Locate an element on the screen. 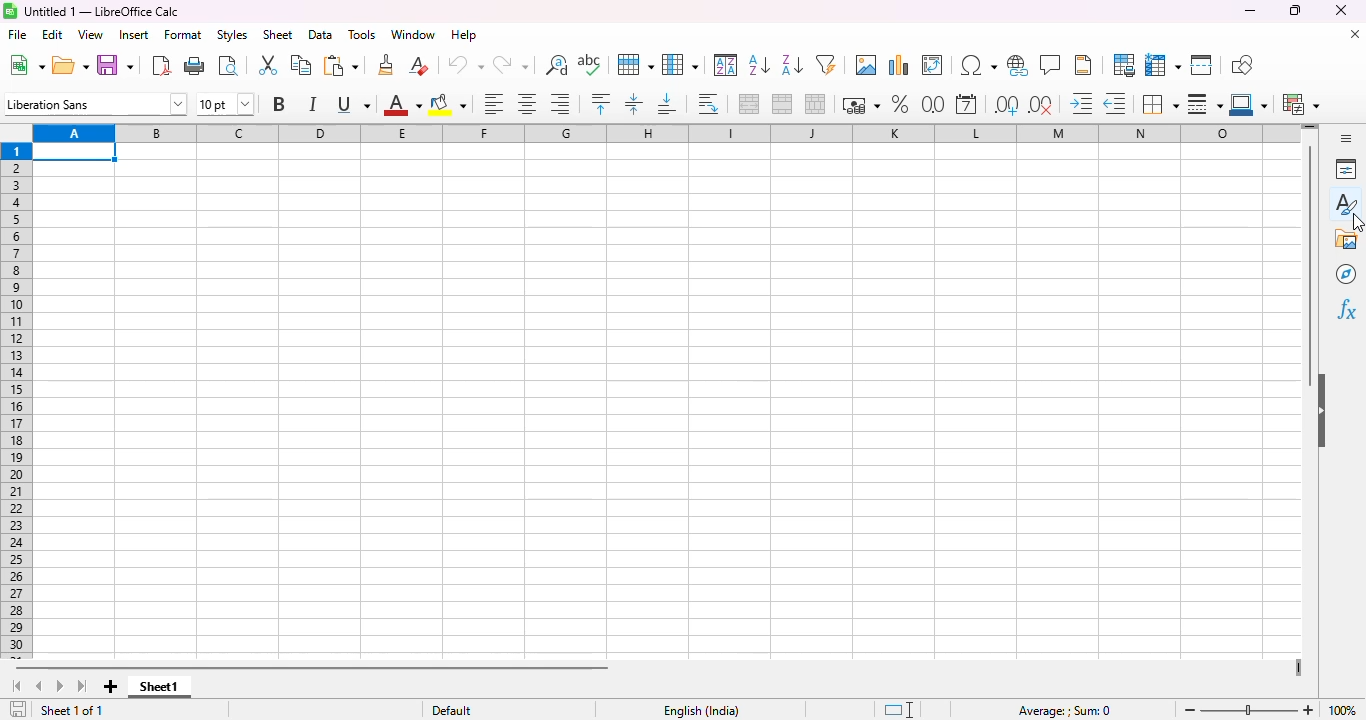 The height and width of the screenshot is (720, 1366). insert comment is located at coordinates (1051, 64).